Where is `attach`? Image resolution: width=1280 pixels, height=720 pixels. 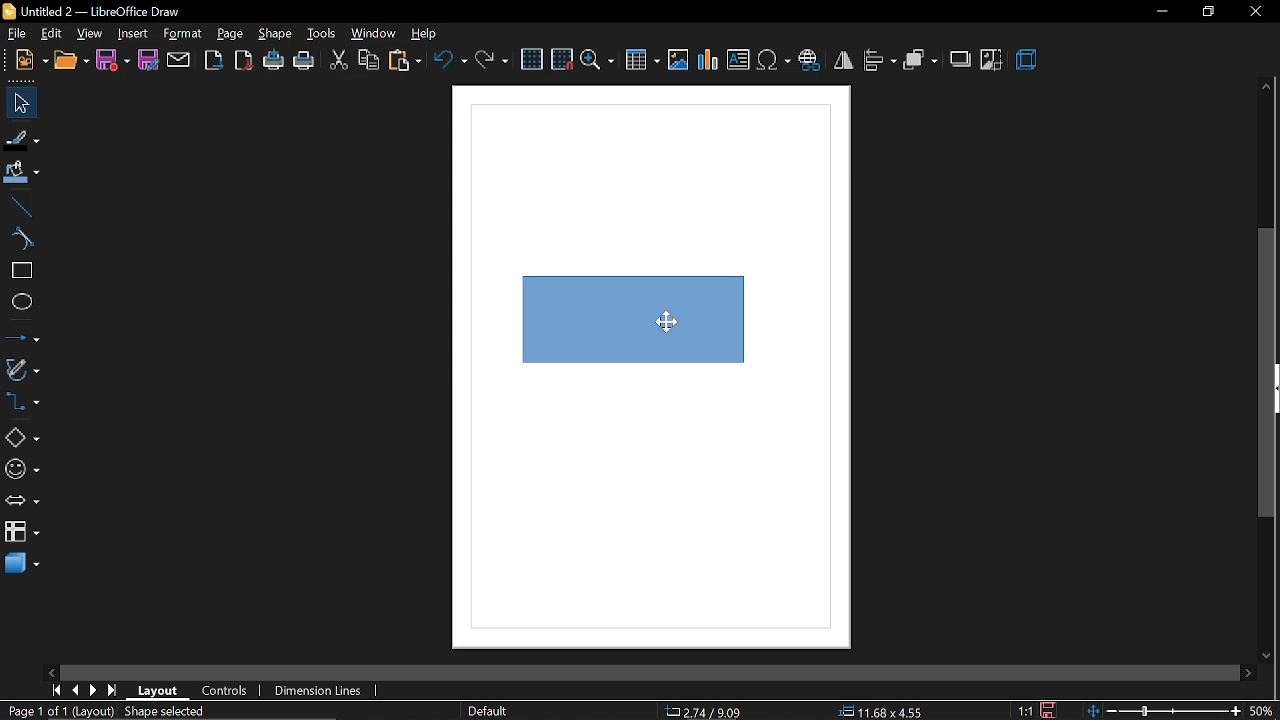
attach is located at coordinates (178, 62).